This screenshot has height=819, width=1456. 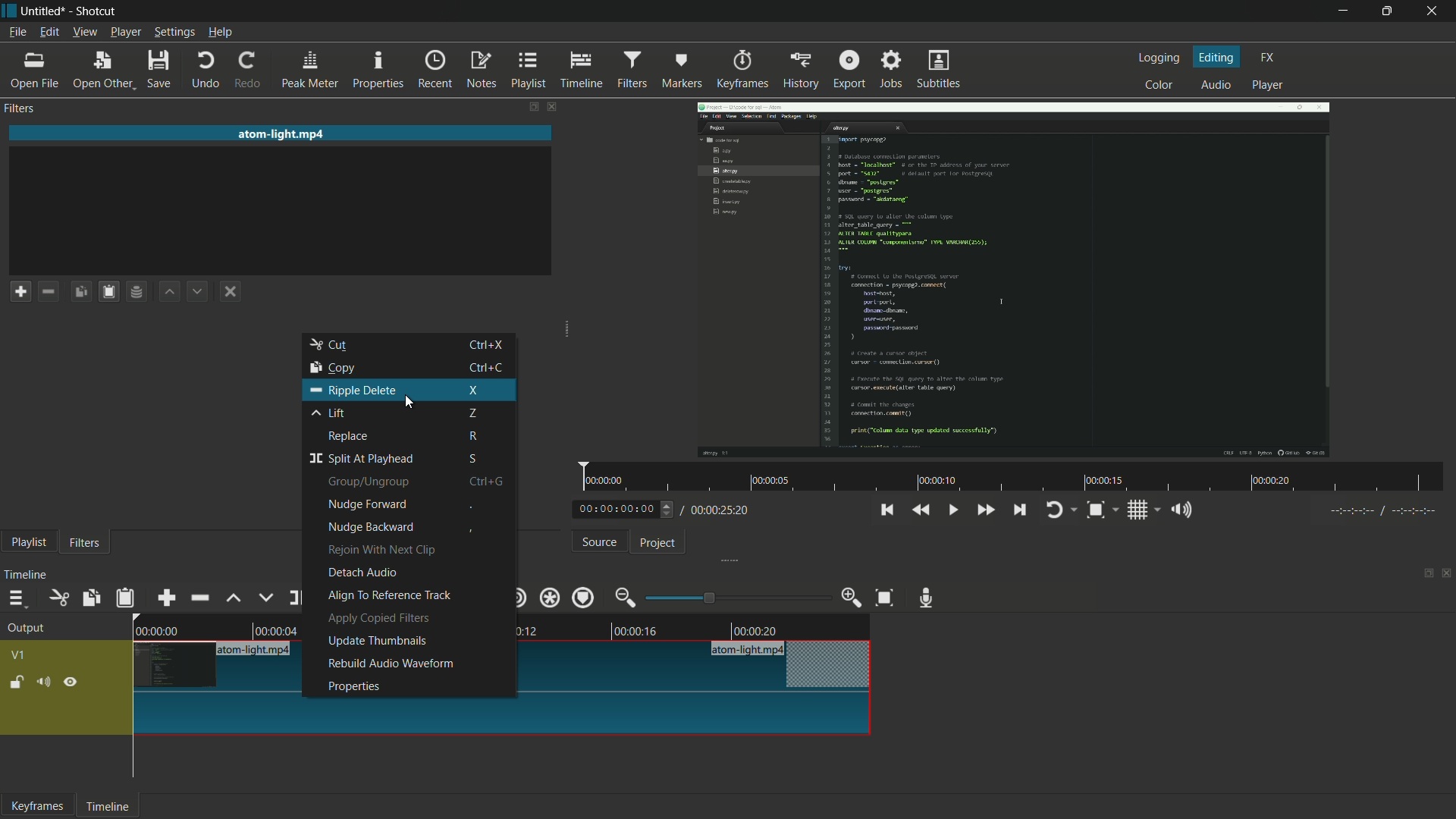 I want to click on properties, so click(x=353, y=687).